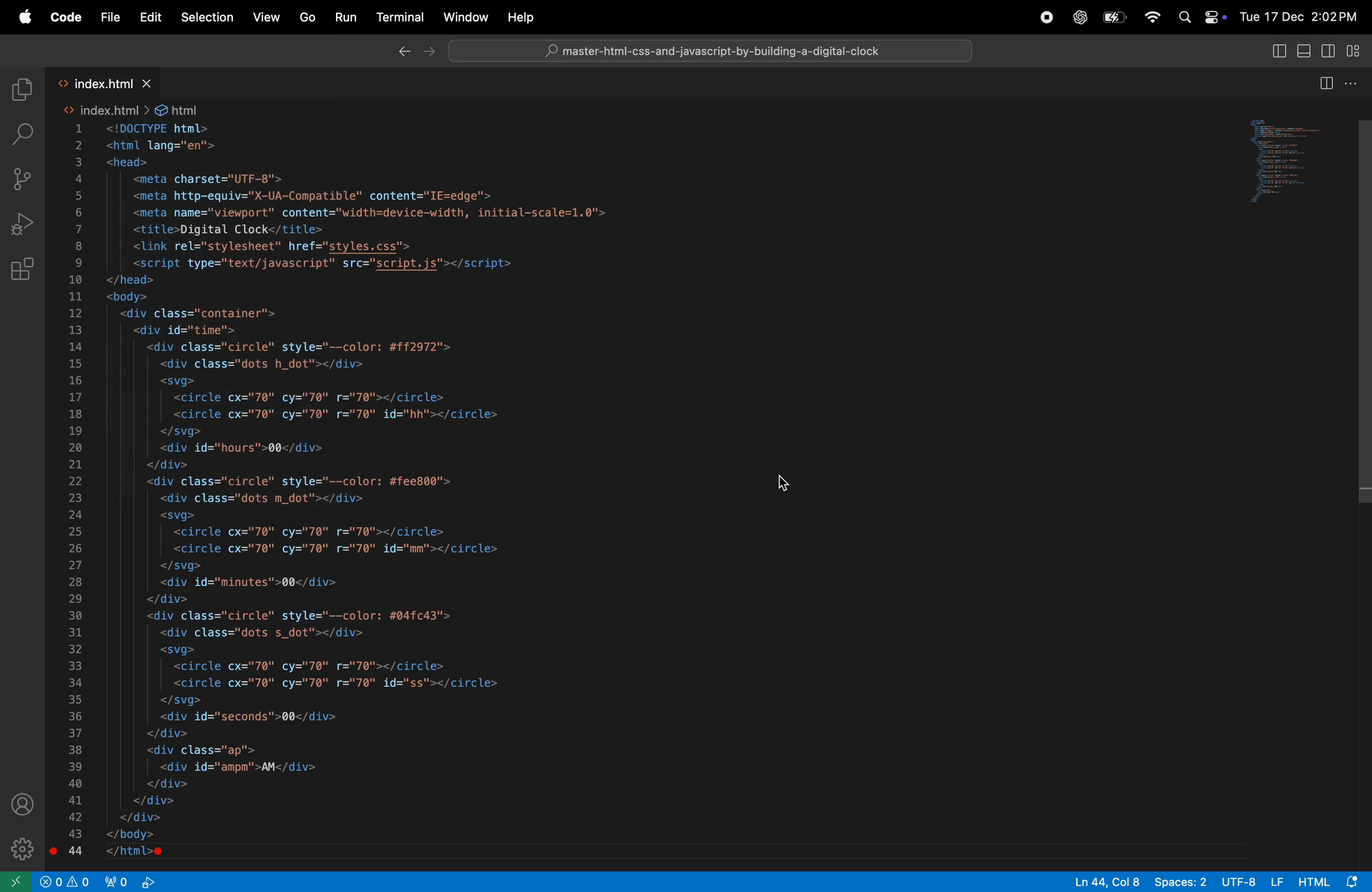  I want to click on spaces 2, so click(1180, 880).